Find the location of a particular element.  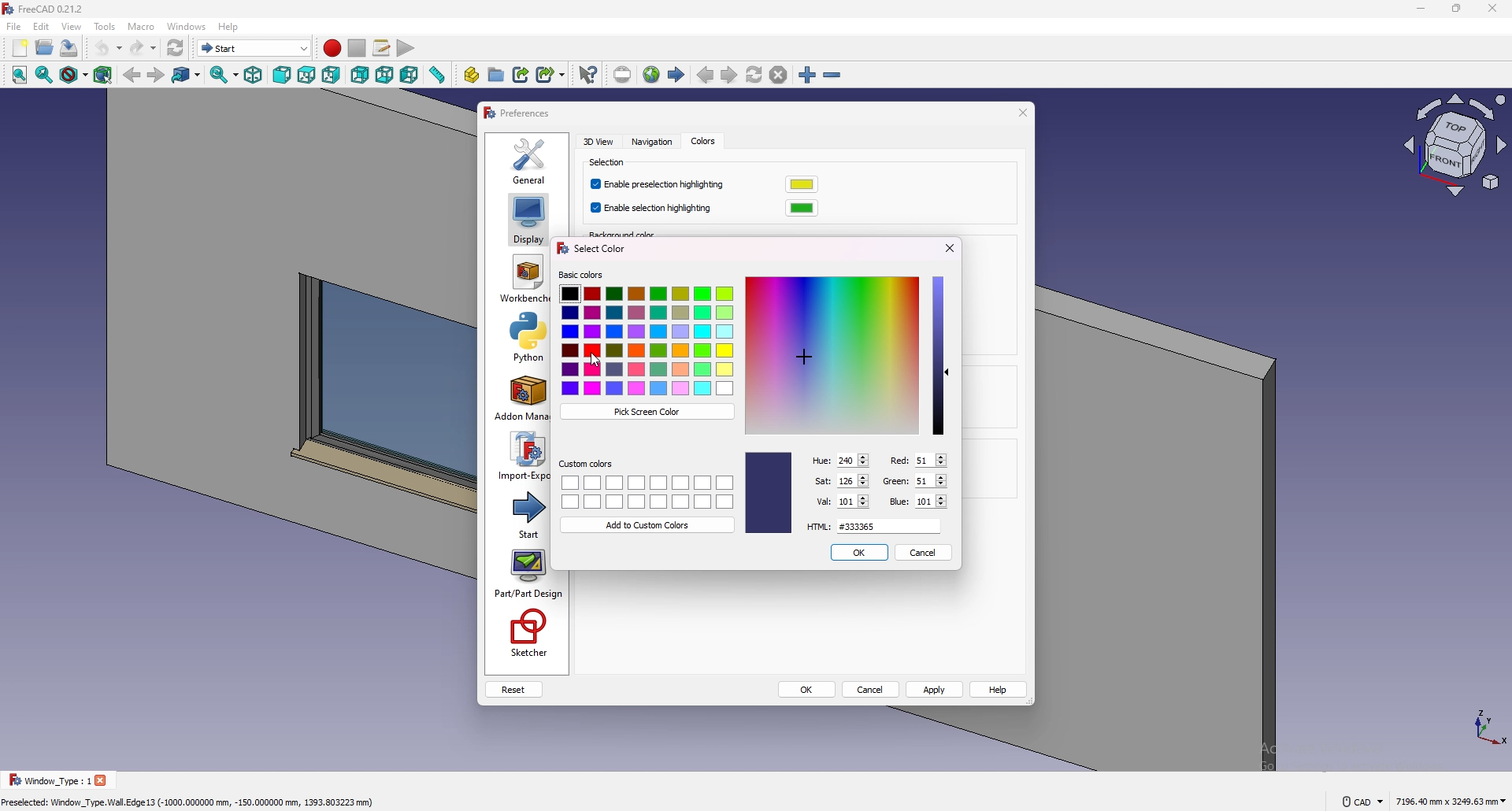

Sat: is located at coordinates (821, 480).